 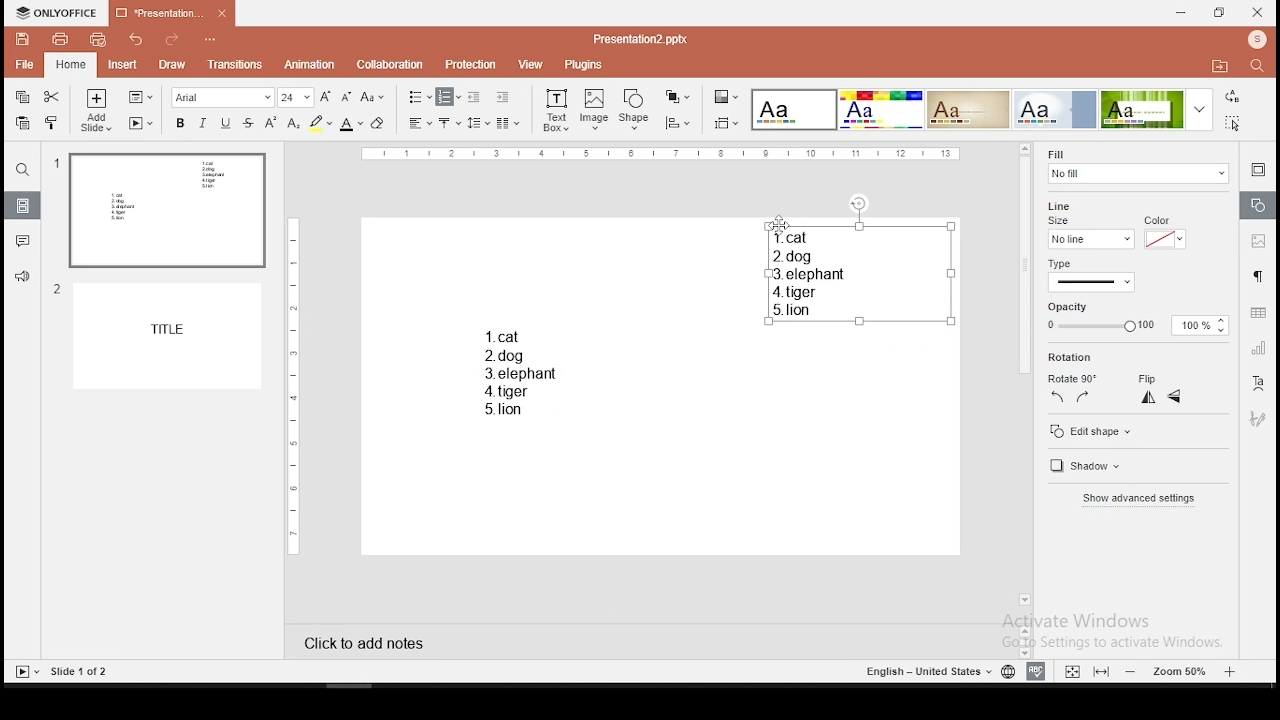 I want to click on fit to slide, so click(x=1072, y=669).